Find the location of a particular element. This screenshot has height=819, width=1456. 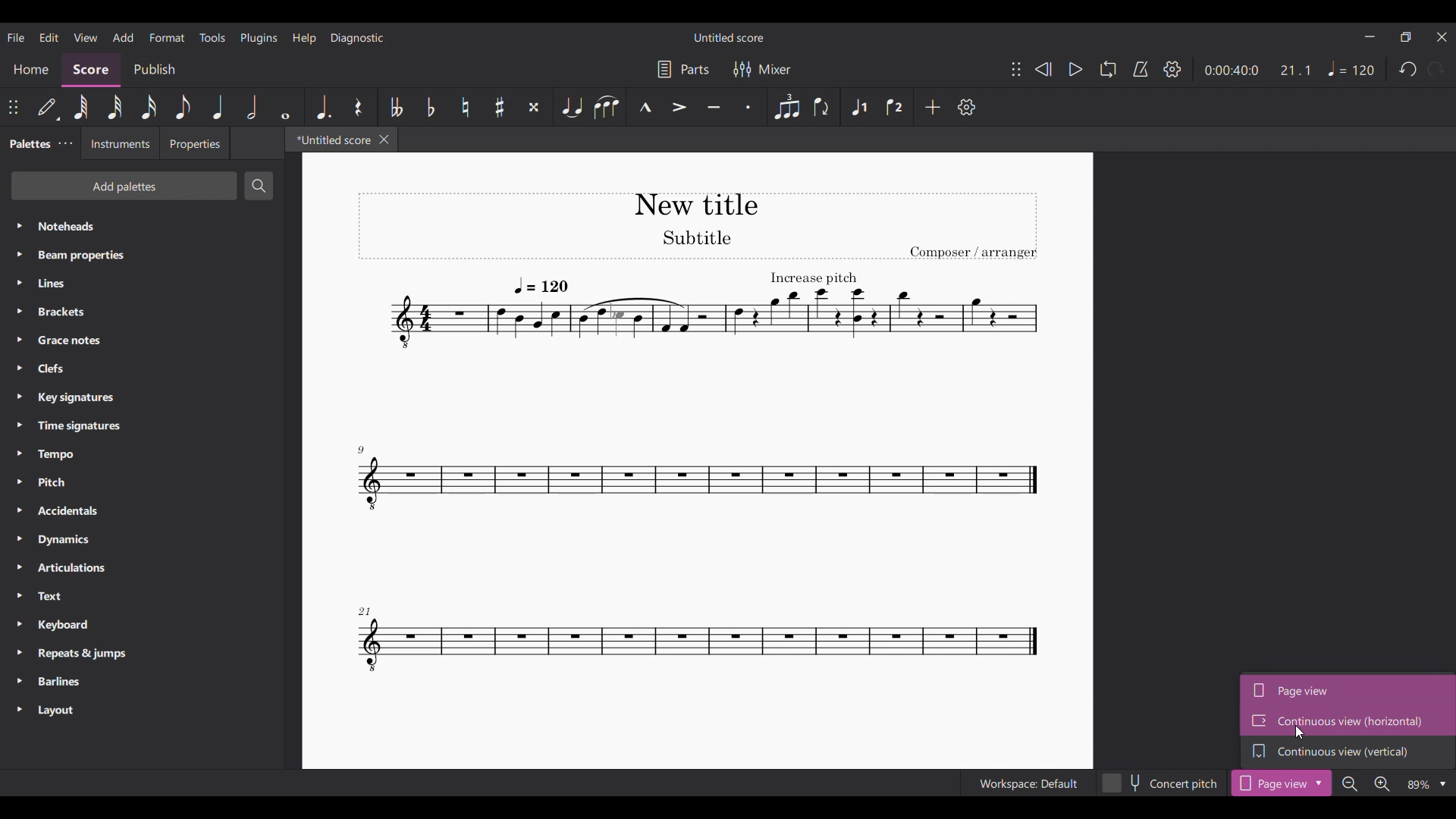

Help menu is located at coordinates (304, 39).